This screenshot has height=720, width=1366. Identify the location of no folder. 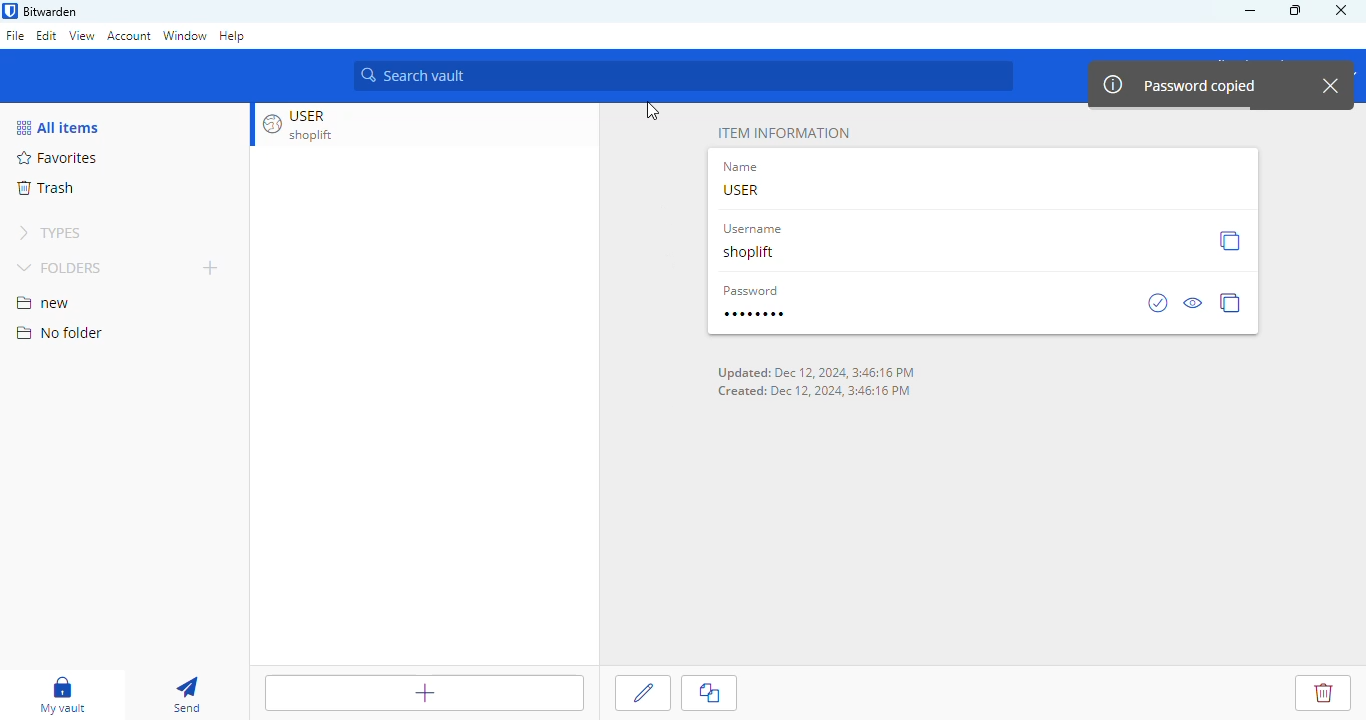
(59, 332).